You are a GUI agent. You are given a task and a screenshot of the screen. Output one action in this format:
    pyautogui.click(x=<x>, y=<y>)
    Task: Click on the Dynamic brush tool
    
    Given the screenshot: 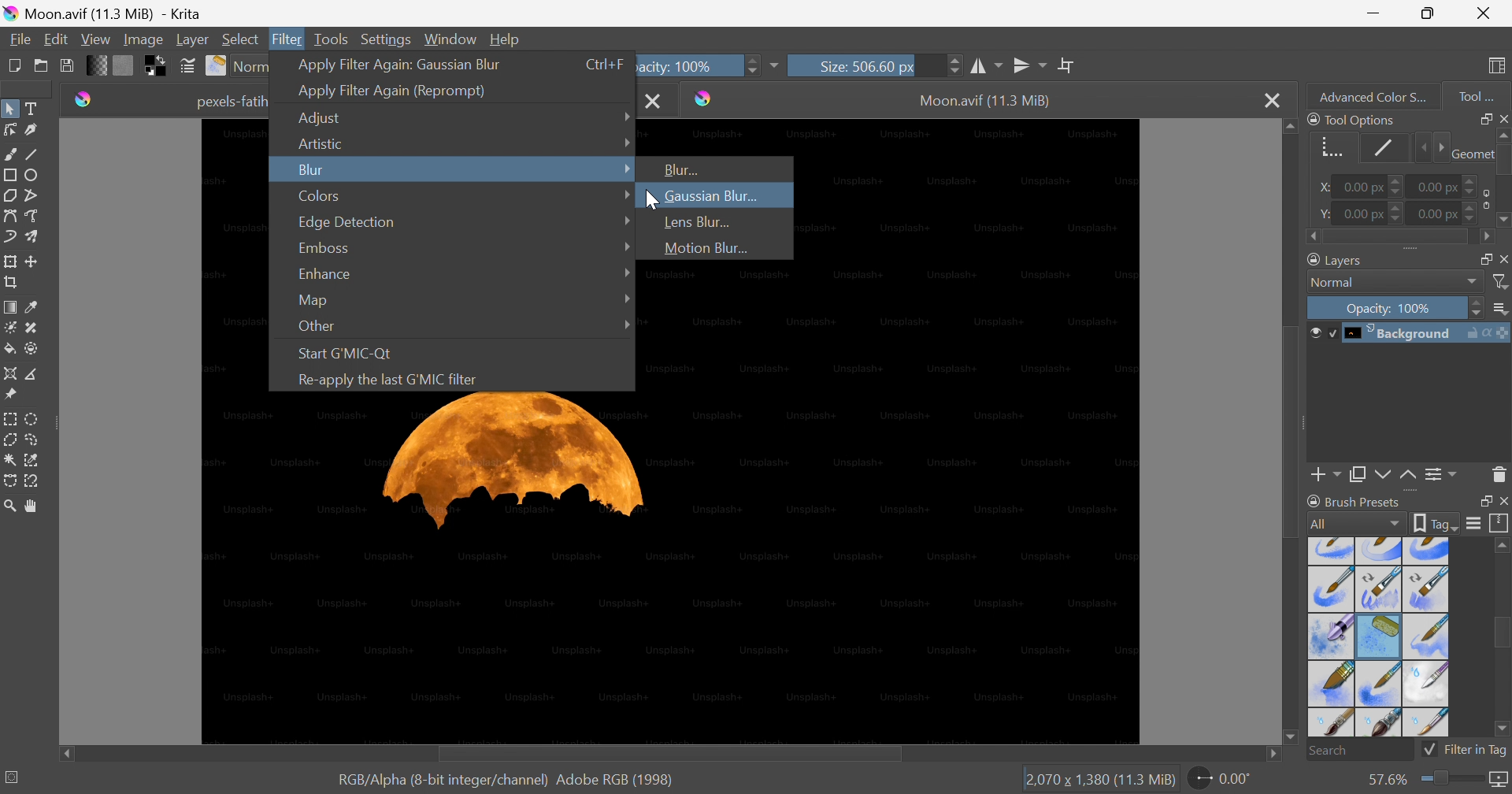 What is the action you would take?
    pyautogui.click(x=11, y=239)
    